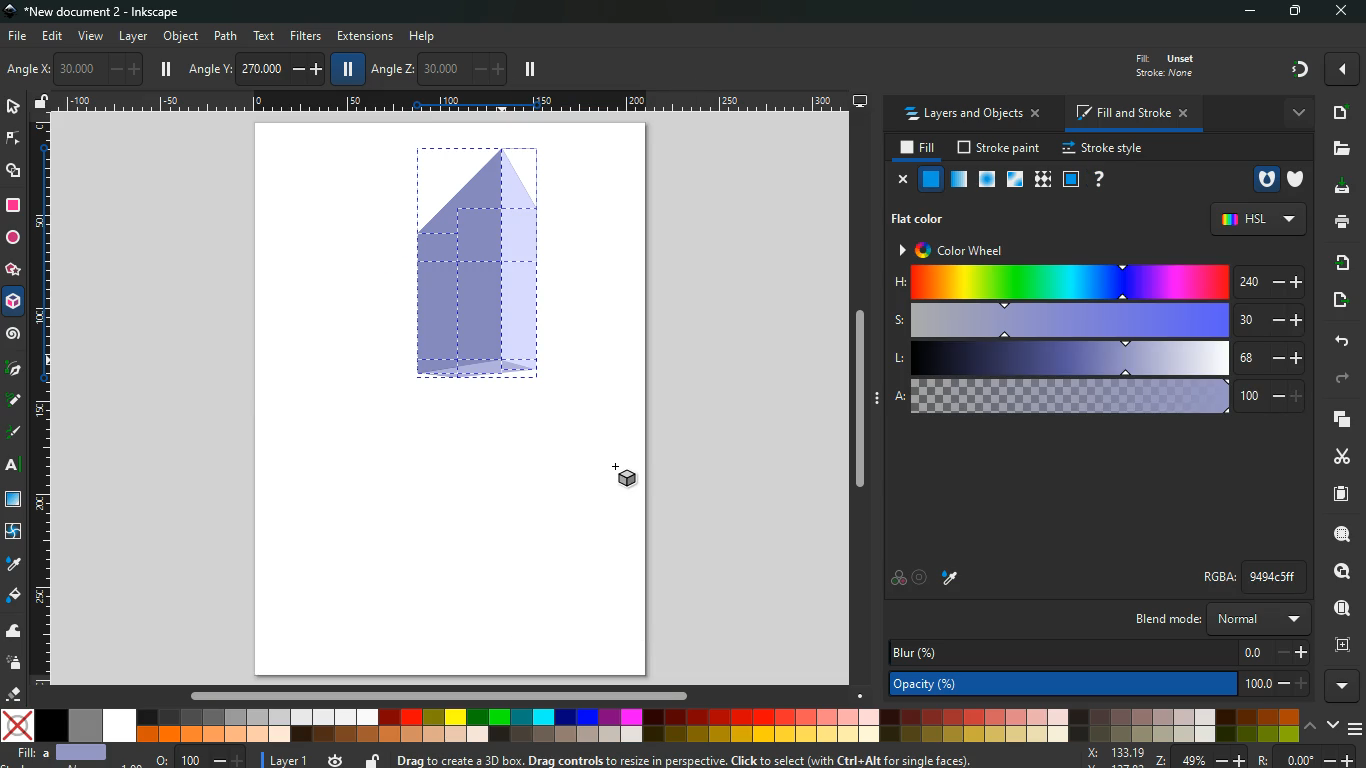 The width and height of the screenshot is (1366, 768). I want to click on circle, so click(13, 240).